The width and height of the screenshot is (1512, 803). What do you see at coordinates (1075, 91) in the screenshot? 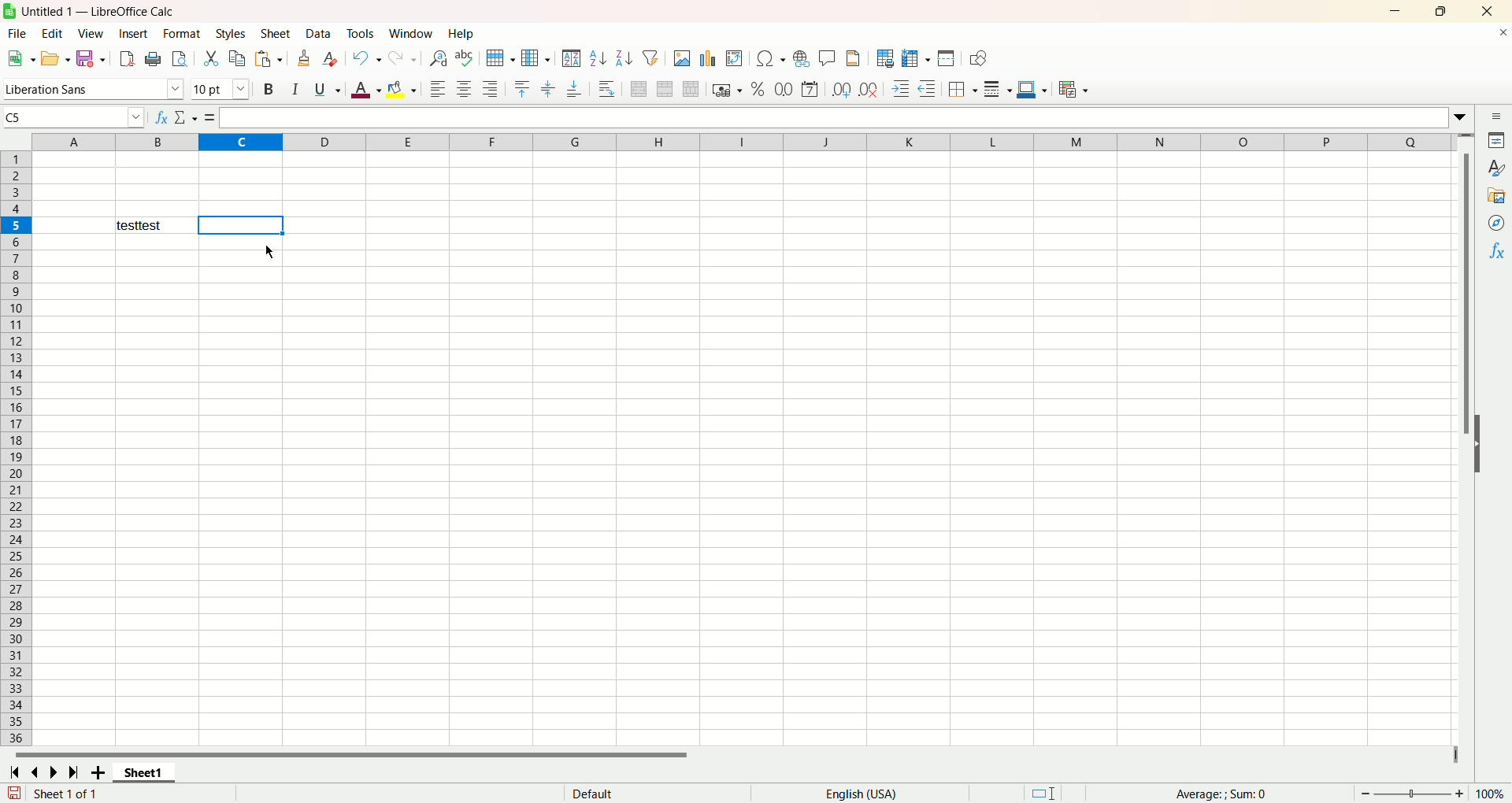
I see `conditional` at bounding box center [1075, 91].